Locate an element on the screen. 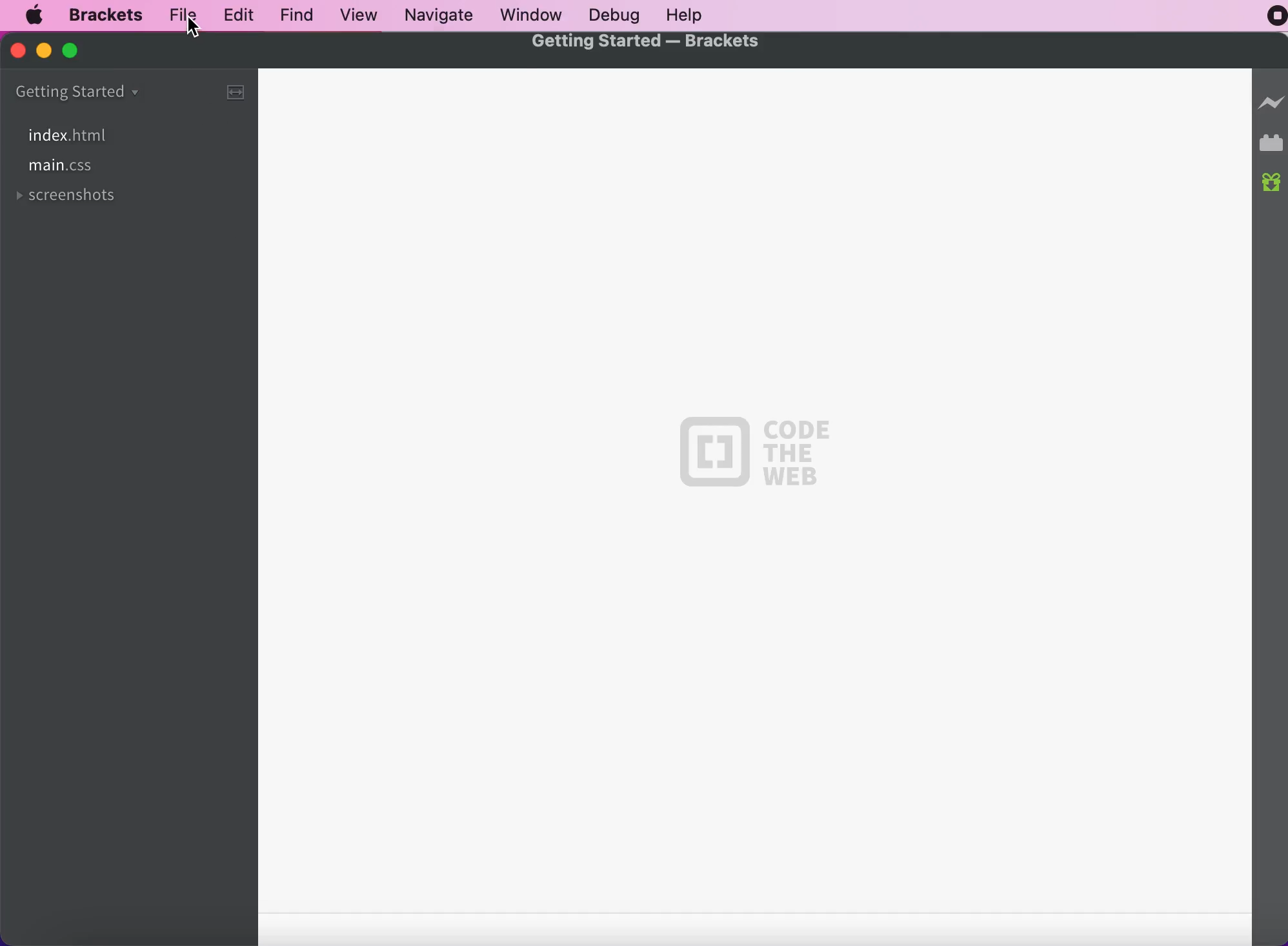 The height and width of the screenshot is (946, 1288). mac logo is located at coordinates (35, 17).